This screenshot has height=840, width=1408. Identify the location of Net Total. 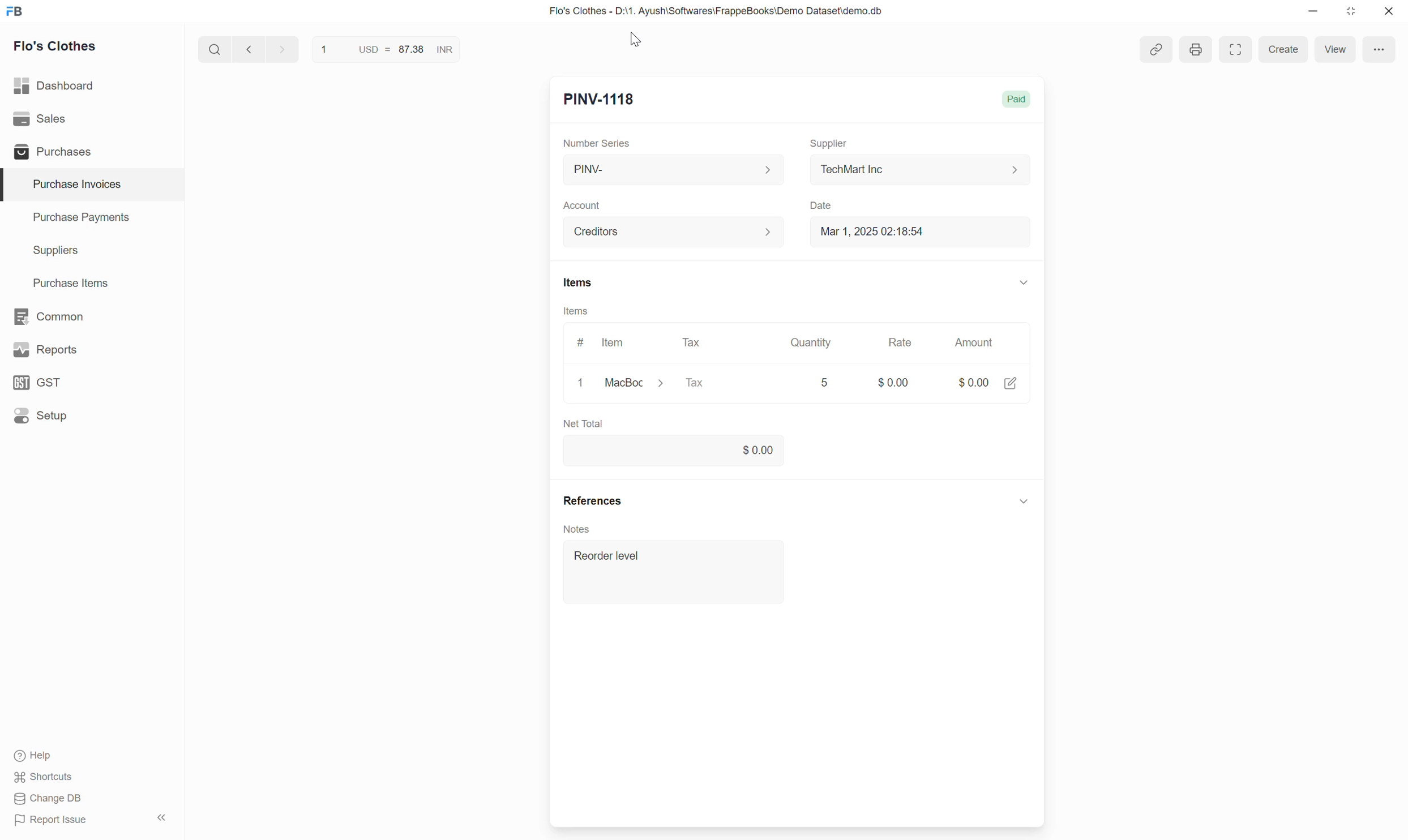
(790, 423).